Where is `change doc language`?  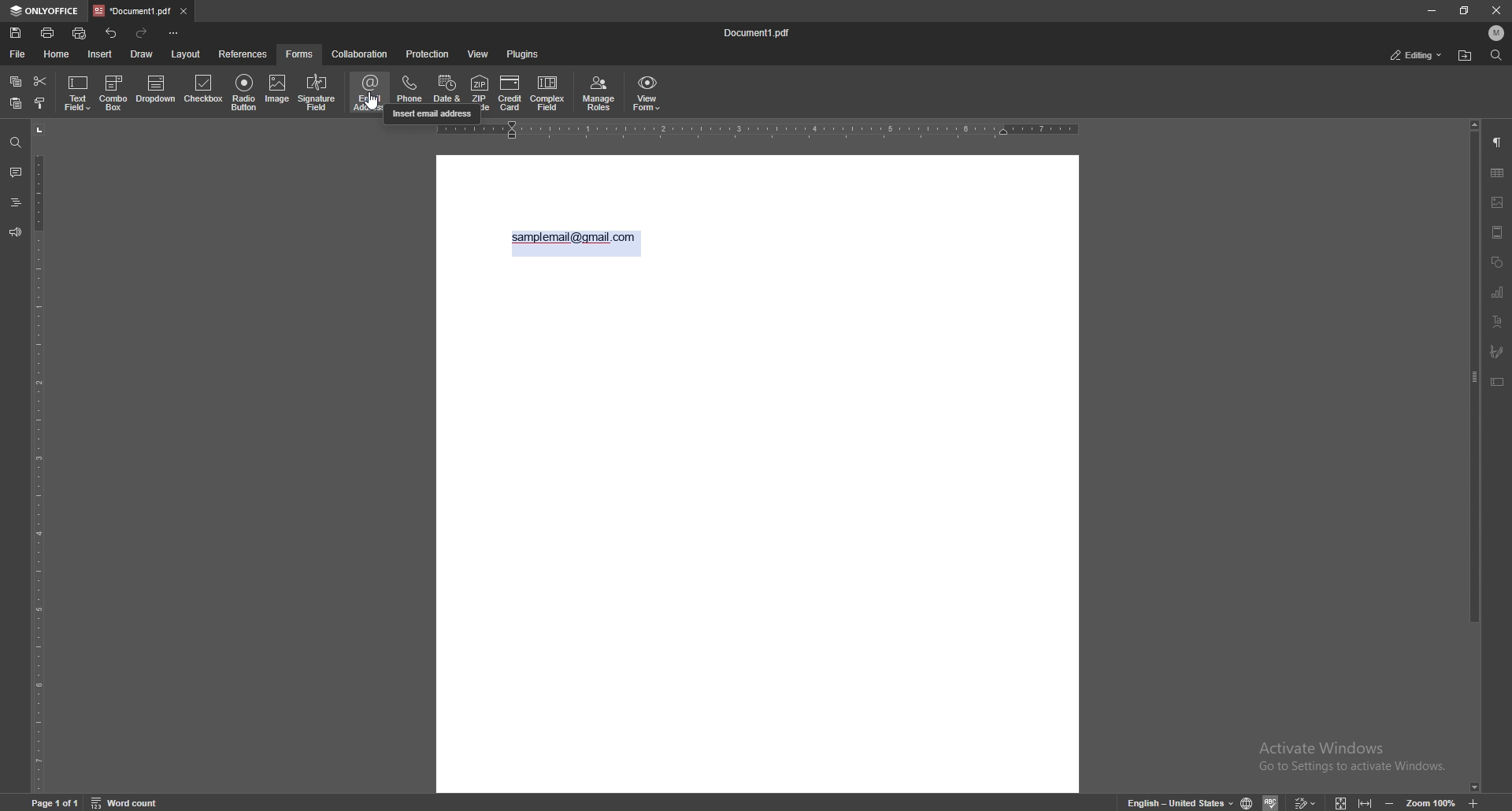
change doc language is located at coordinates (1249, 802).